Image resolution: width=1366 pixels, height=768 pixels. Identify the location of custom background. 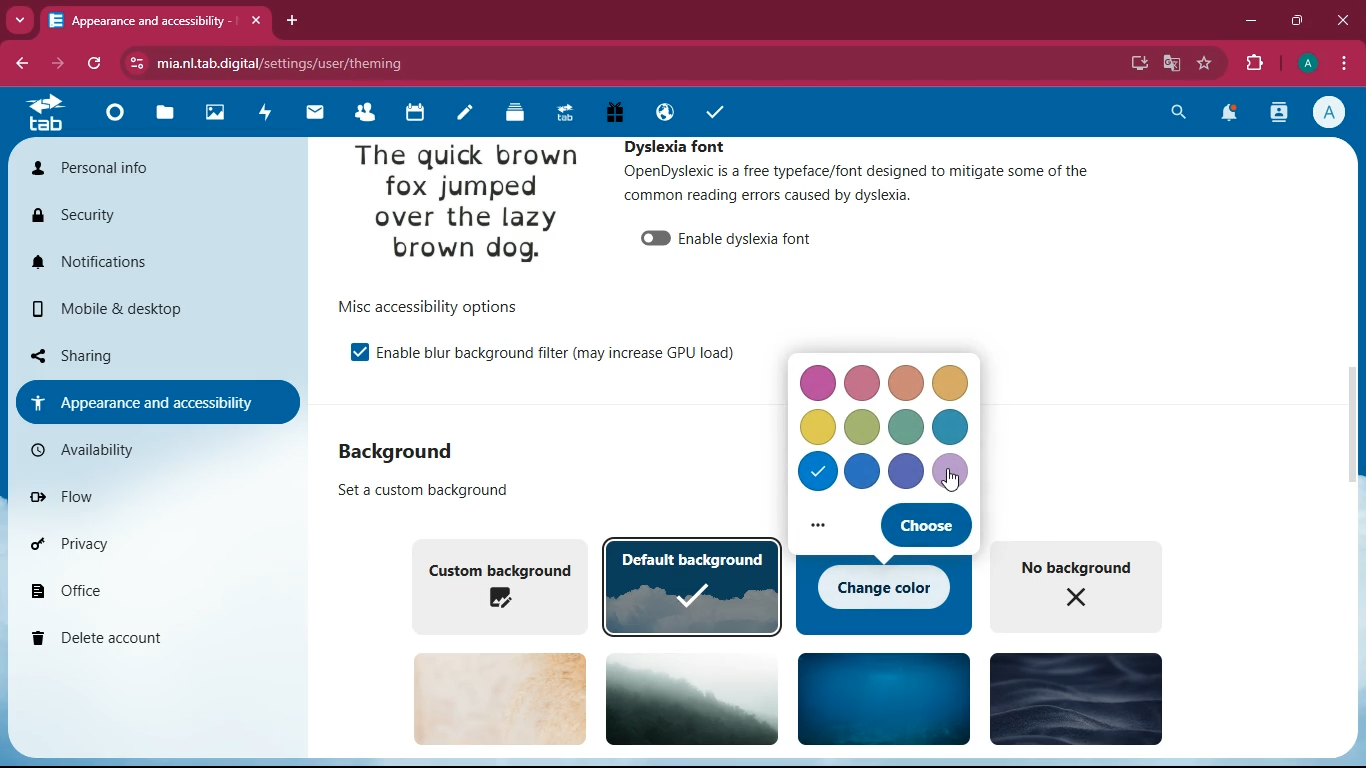
(497, 584).